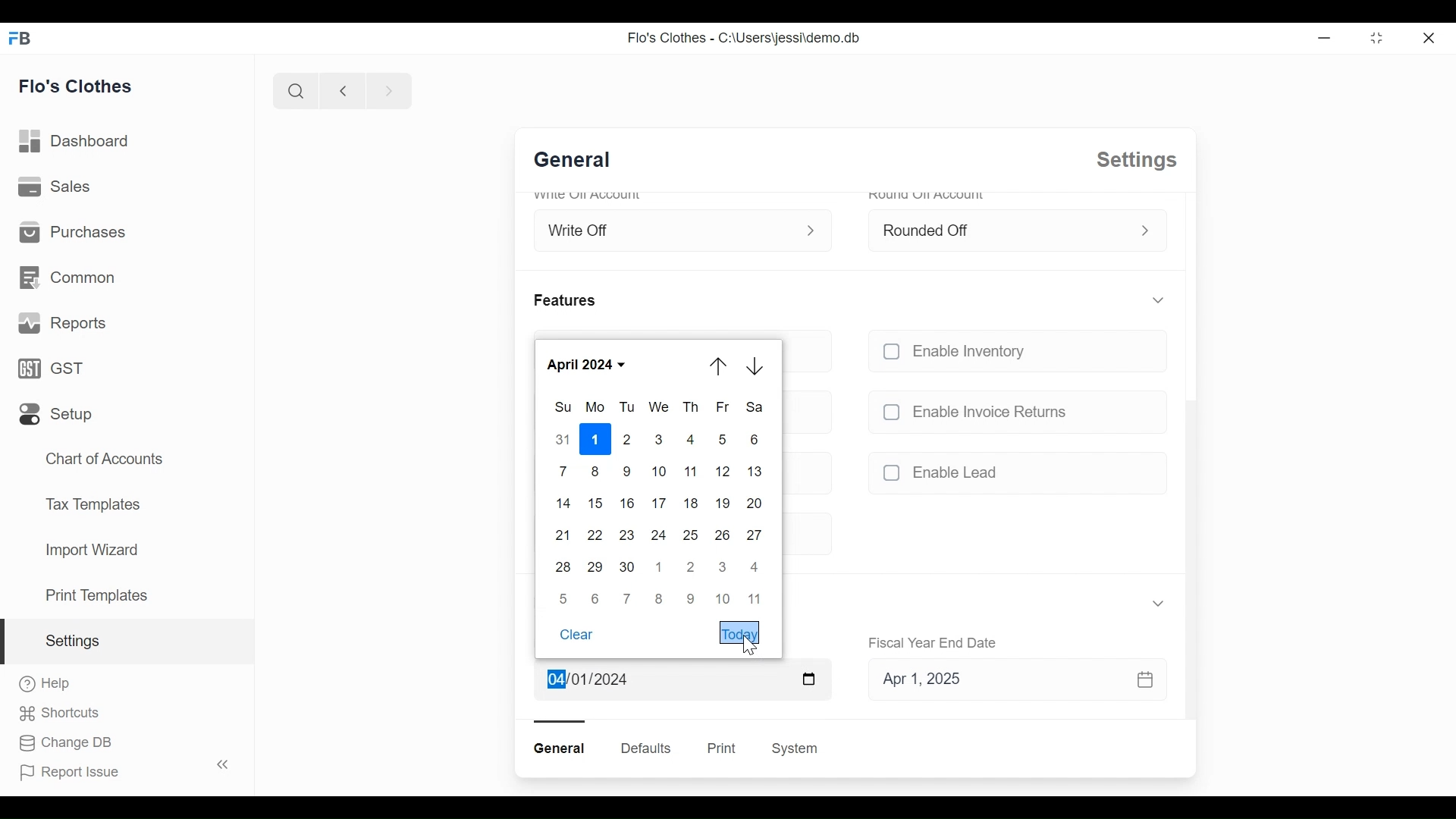 This screenshot has width=1456, height=819. Describe the element at coordinates (814, 229) in the screenshot. I see `Expand` at that location.